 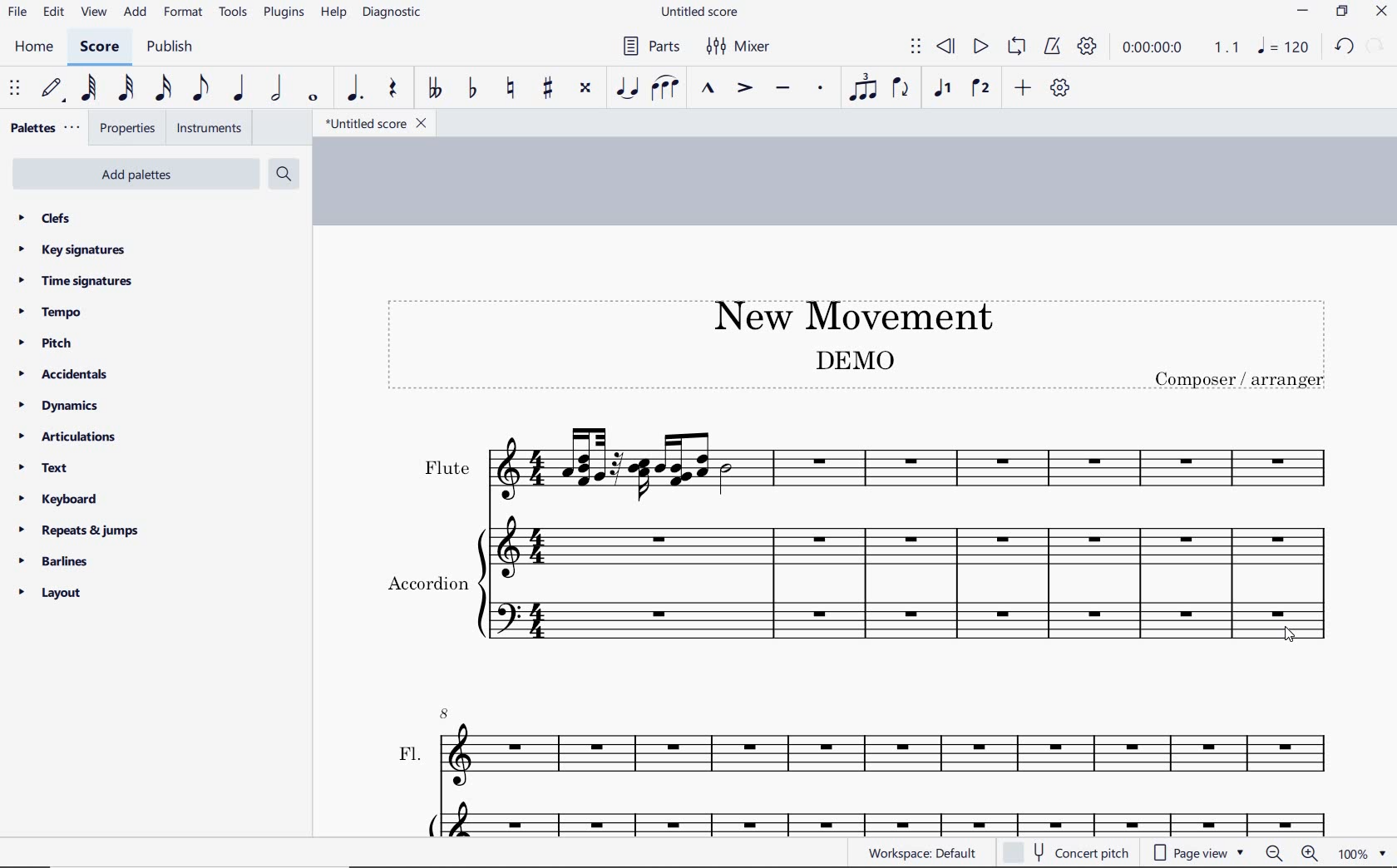 What do you see at coordinates (238, 89) in the screenshot?
I see `quarter note` at bounding box center [238, 89].